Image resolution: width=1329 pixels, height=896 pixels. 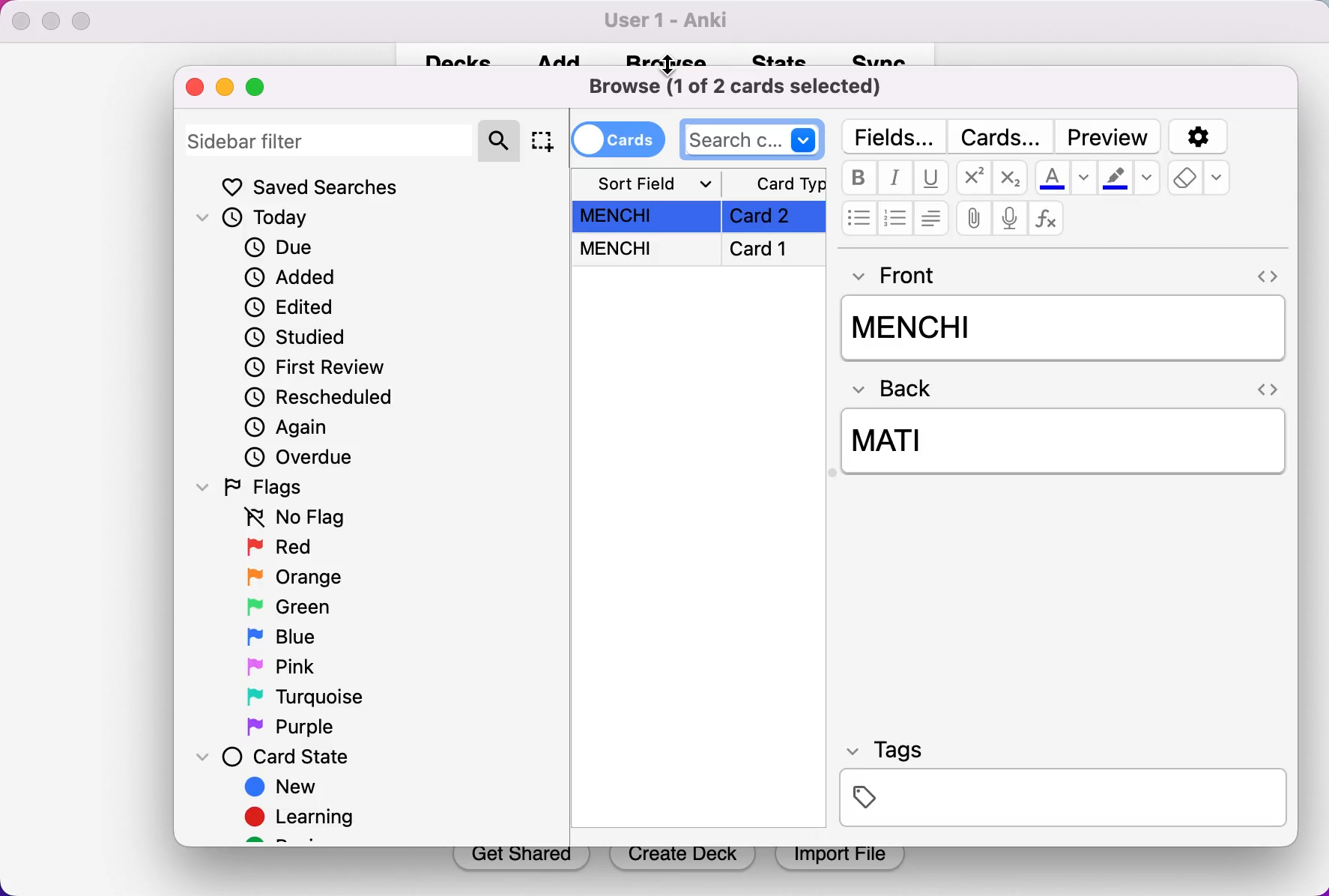 I want to click on options, so click(x=1200, y=135).